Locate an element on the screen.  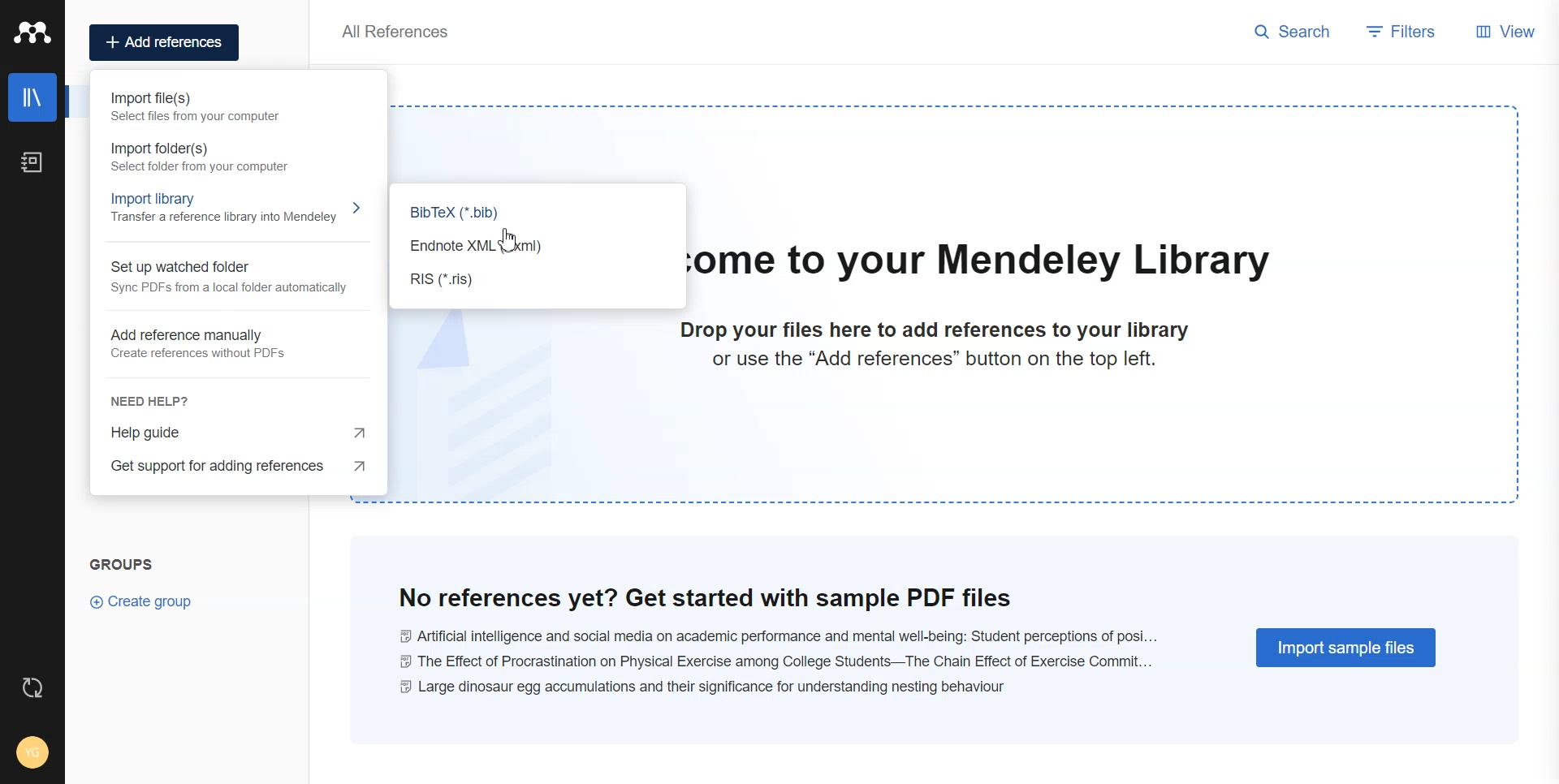
Logo is located at coordinates (33, 33).